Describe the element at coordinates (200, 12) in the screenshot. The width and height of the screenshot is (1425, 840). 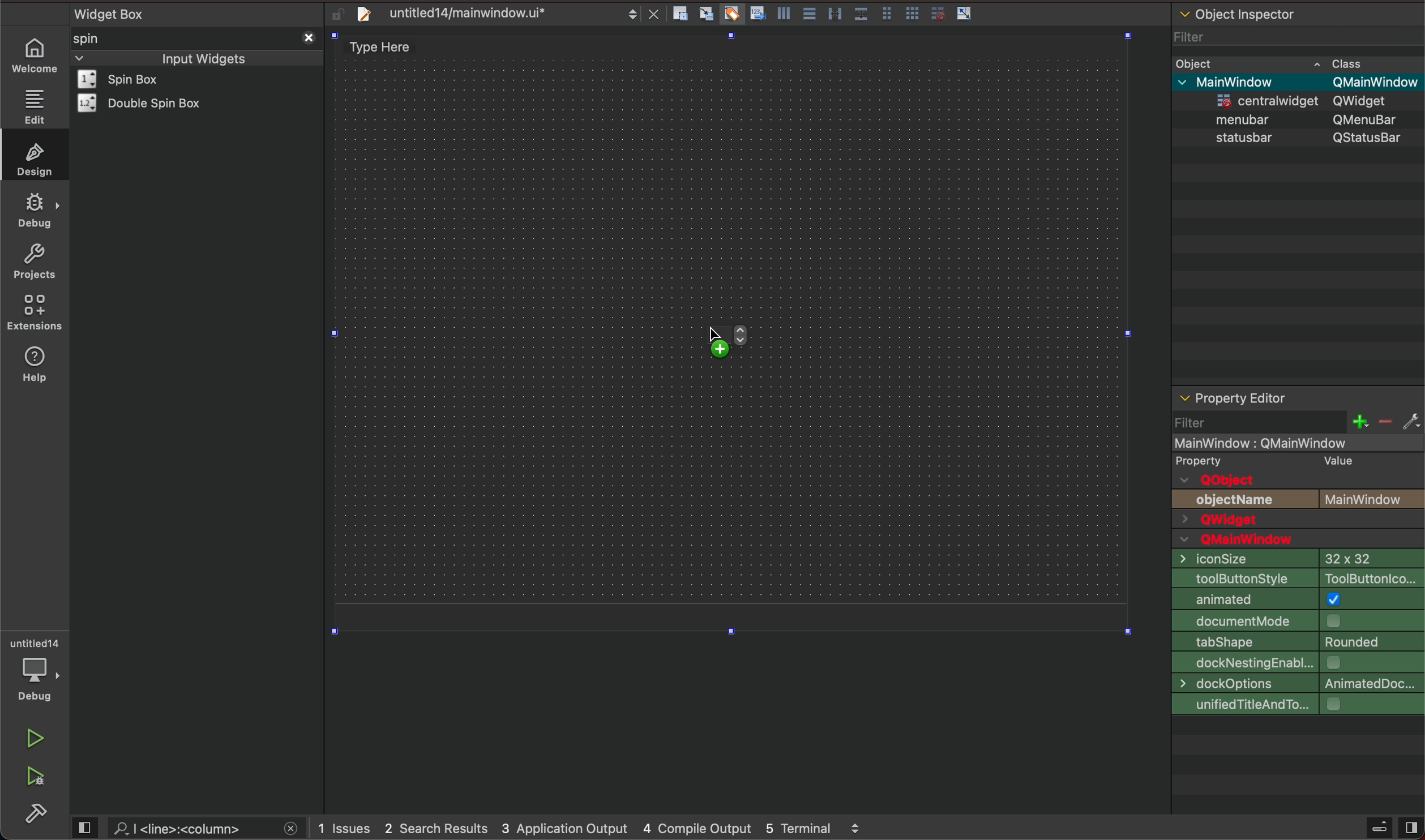
I see `widget box` at that location.